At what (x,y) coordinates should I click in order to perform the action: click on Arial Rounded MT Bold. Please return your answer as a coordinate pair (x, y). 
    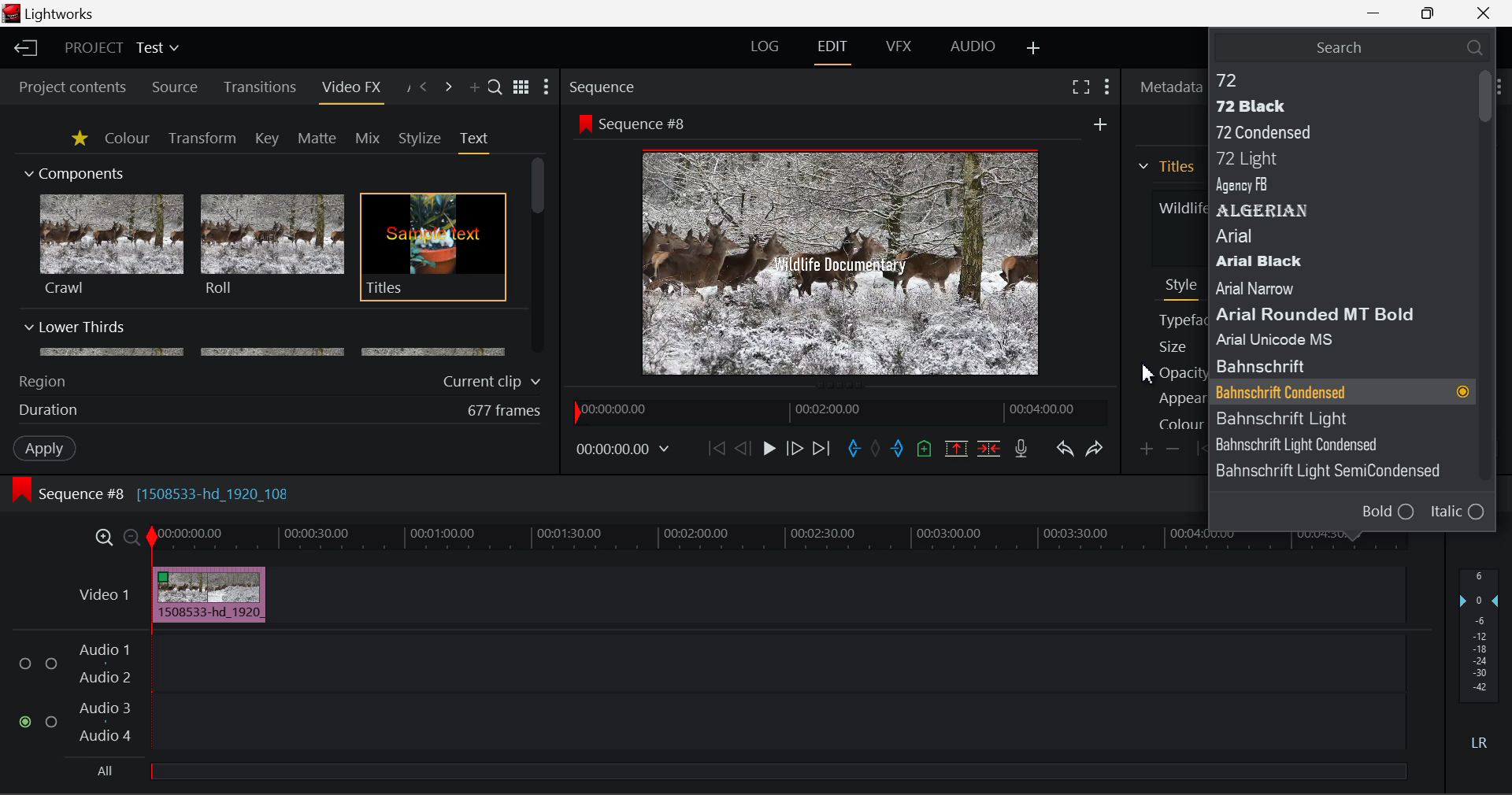
    Looking at the image, I should click on (1324, 313).